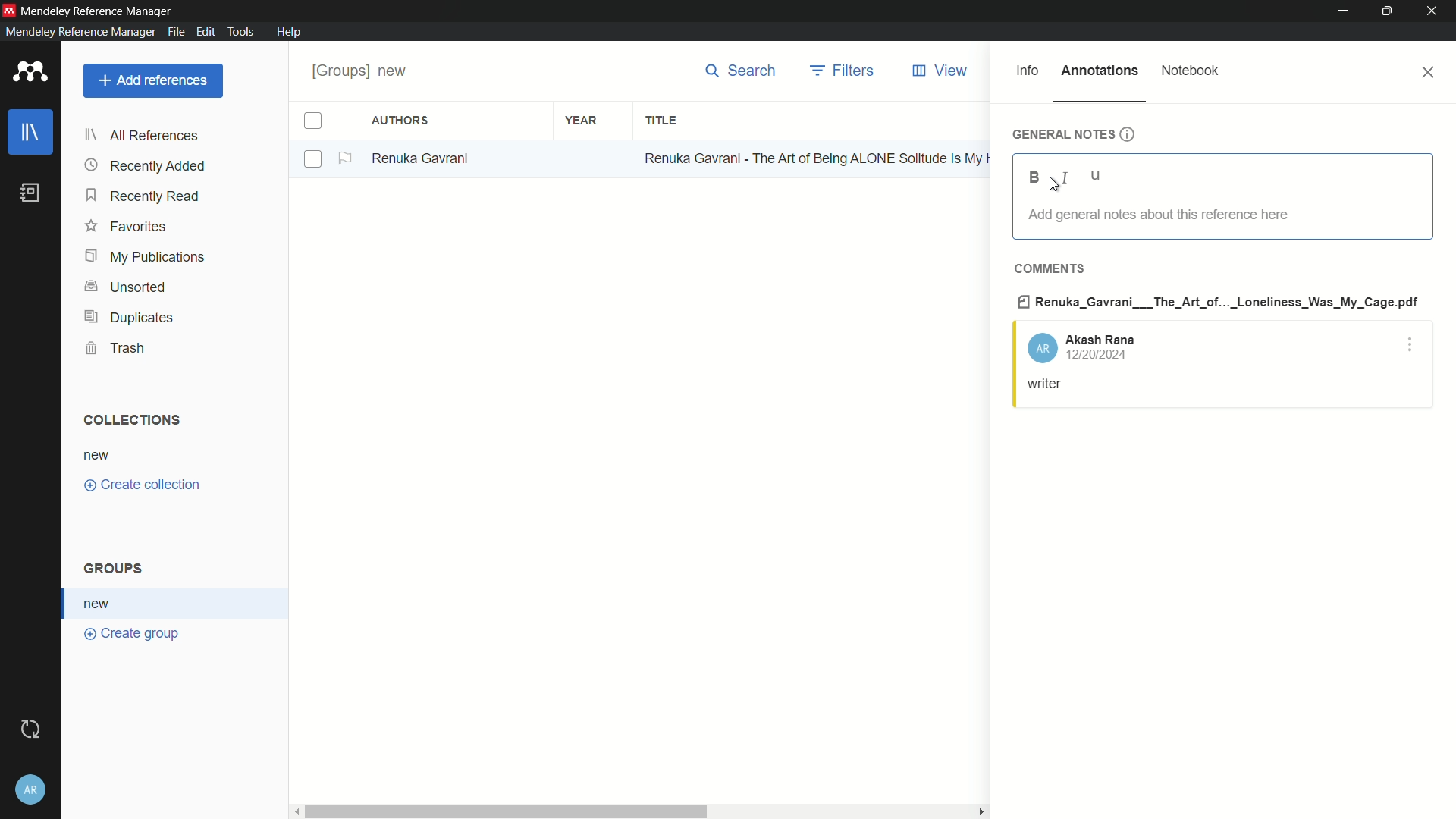  Describe the element at coordinates (101, 604) in the screenshot. I see `new` at that location.